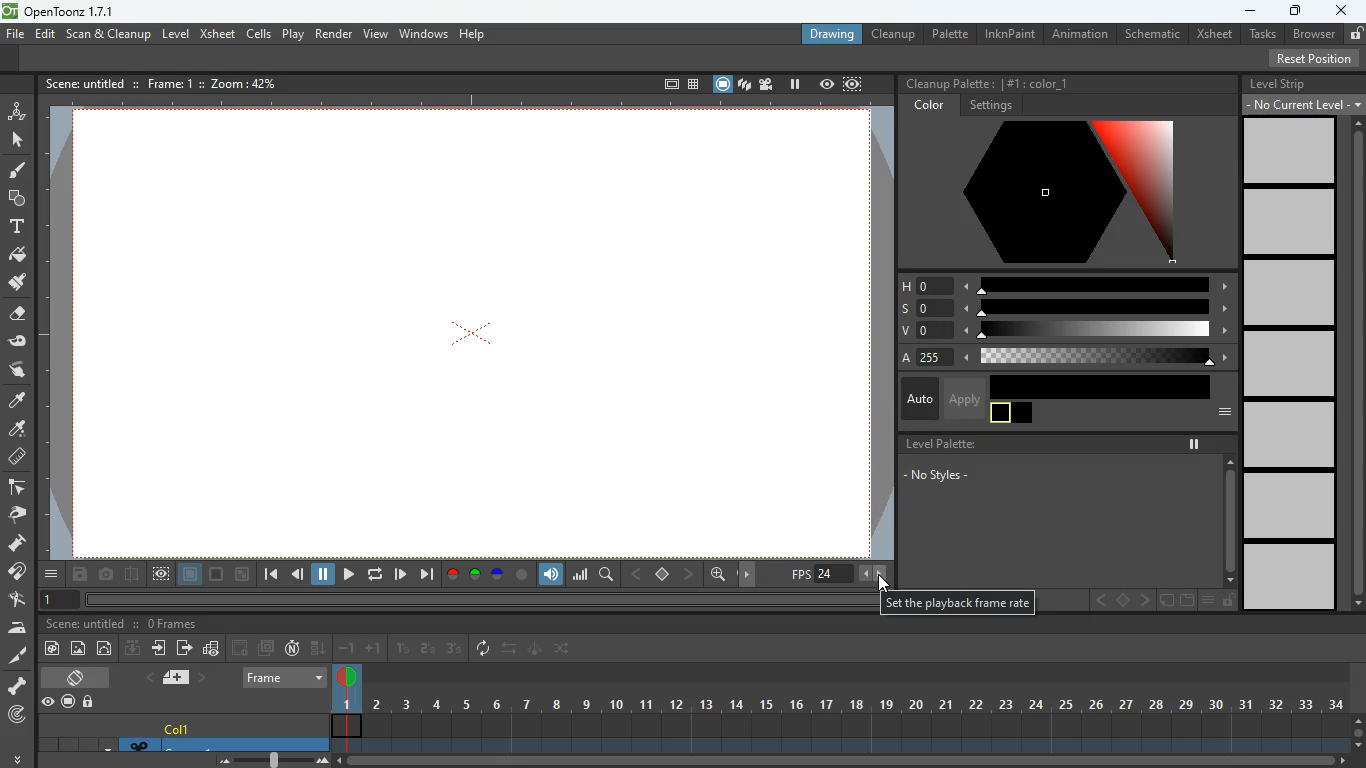 Image resolution: width=1366 pixels, height=768 pixels. What do you see at coordinates (132, 648) in the screenshot?
I see `download` at bounding box center [132, 648].